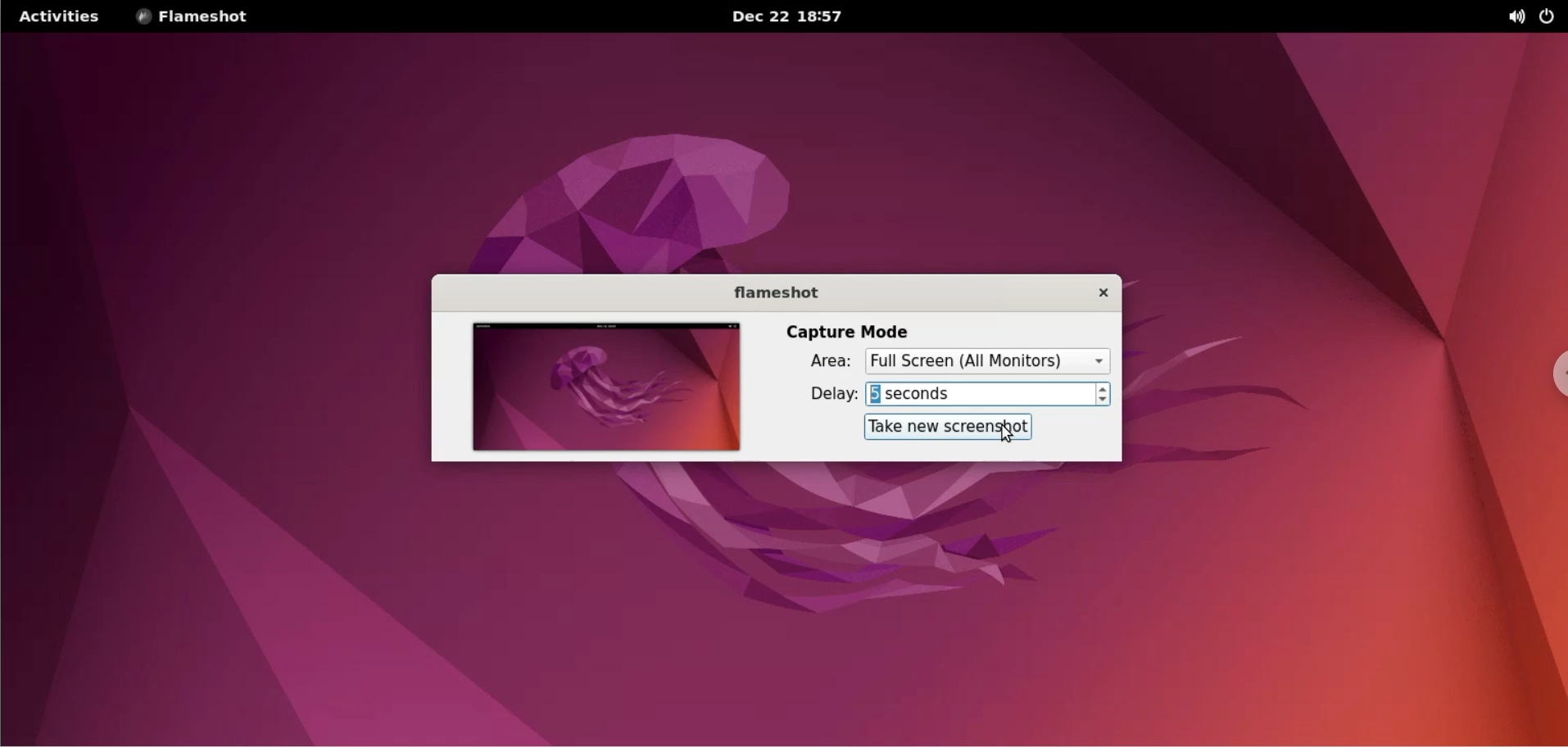 The height and width of the screenshot is (747, 1568). What do you see at coordinates (1108, 394) in the screenshot?
I see `increment or decrement delay time` at bounding box center [1108, 394].